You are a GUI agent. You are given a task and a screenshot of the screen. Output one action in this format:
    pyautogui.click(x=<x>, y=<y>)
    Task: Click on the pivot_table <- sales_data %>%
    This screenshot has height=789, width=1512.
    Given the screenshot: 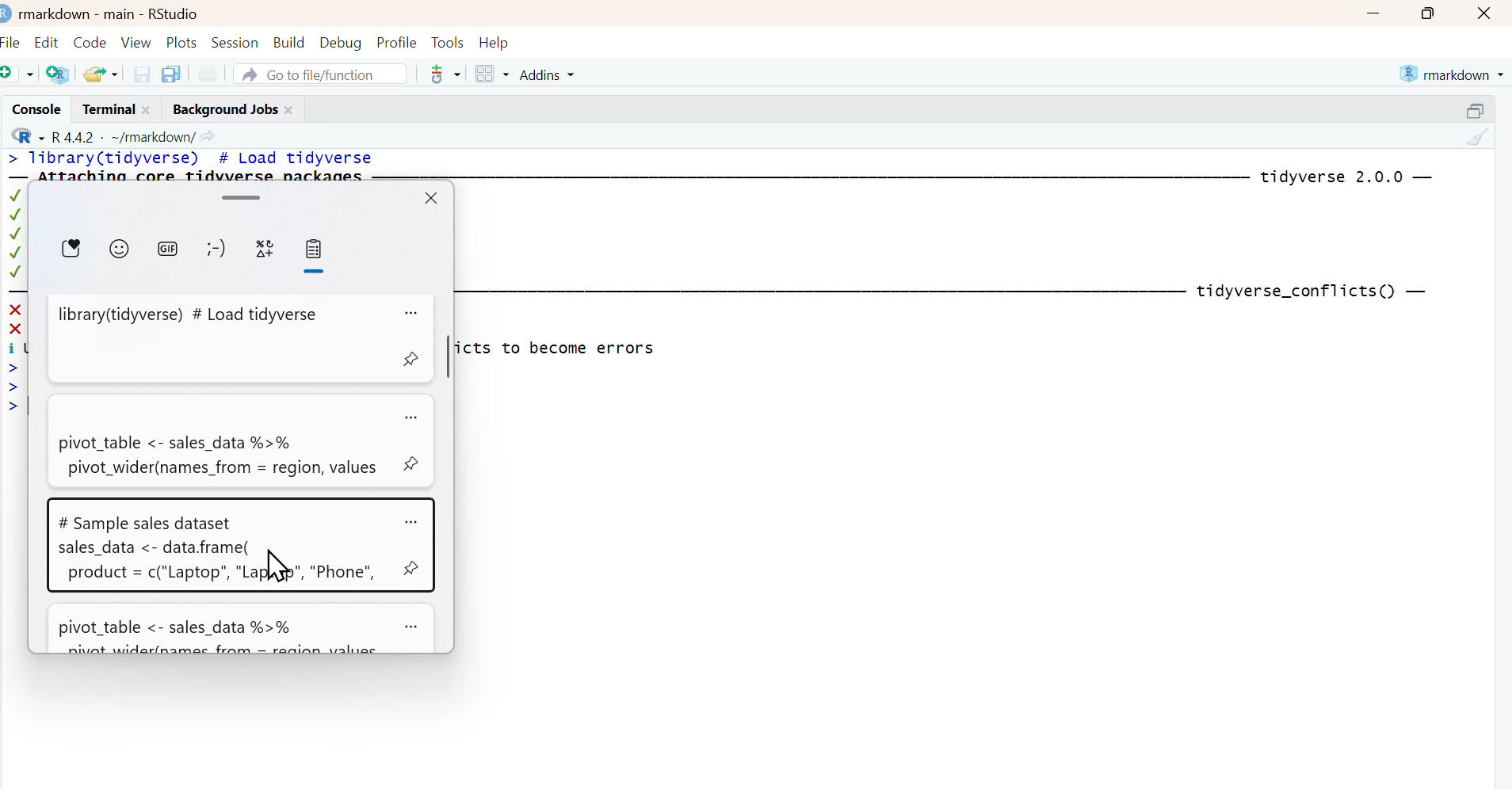 What is the action you would take?
    pyautogui.click(x=222, y=630)
    